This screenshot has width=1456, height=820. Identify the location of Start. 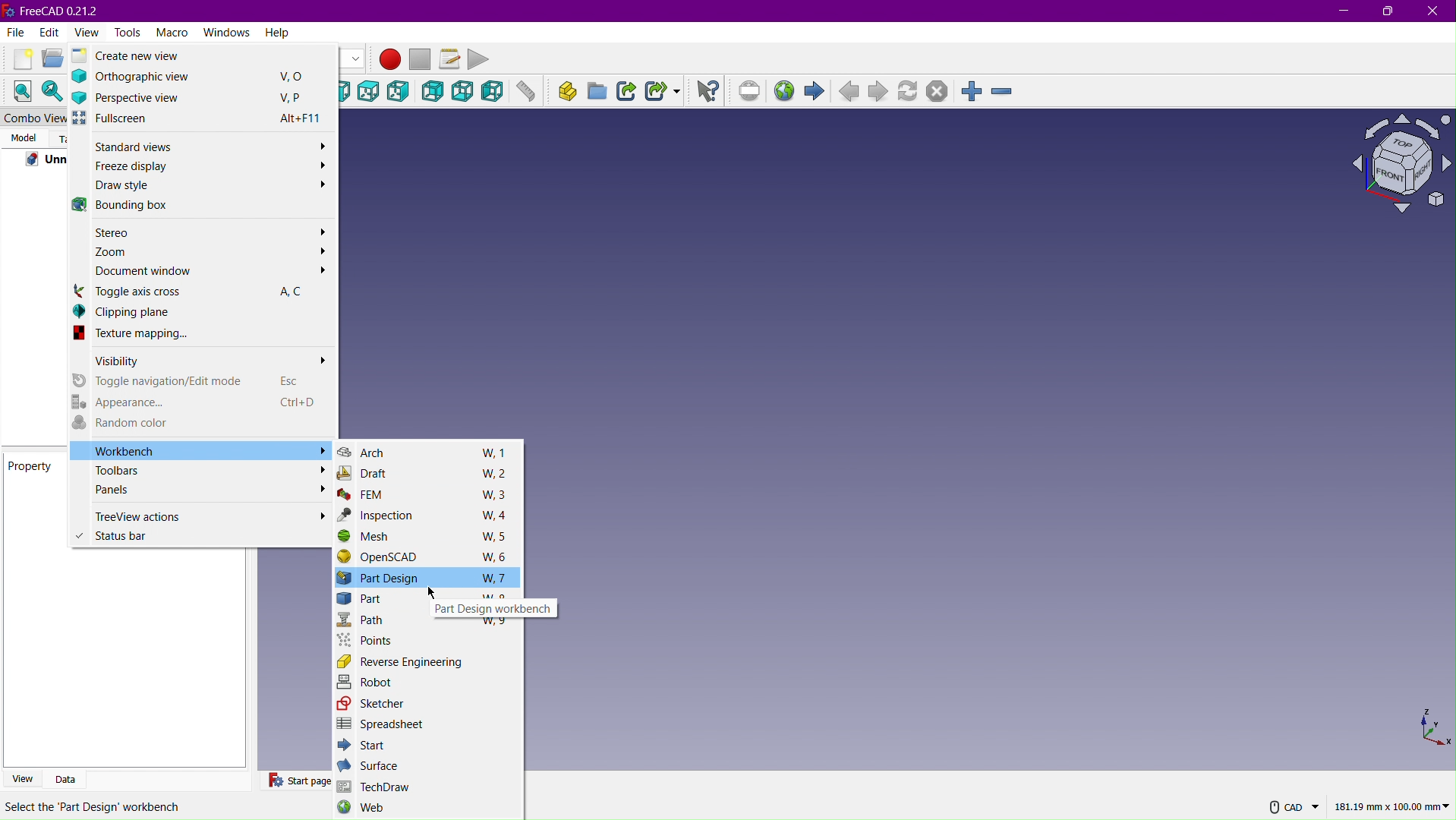
(363, 746).